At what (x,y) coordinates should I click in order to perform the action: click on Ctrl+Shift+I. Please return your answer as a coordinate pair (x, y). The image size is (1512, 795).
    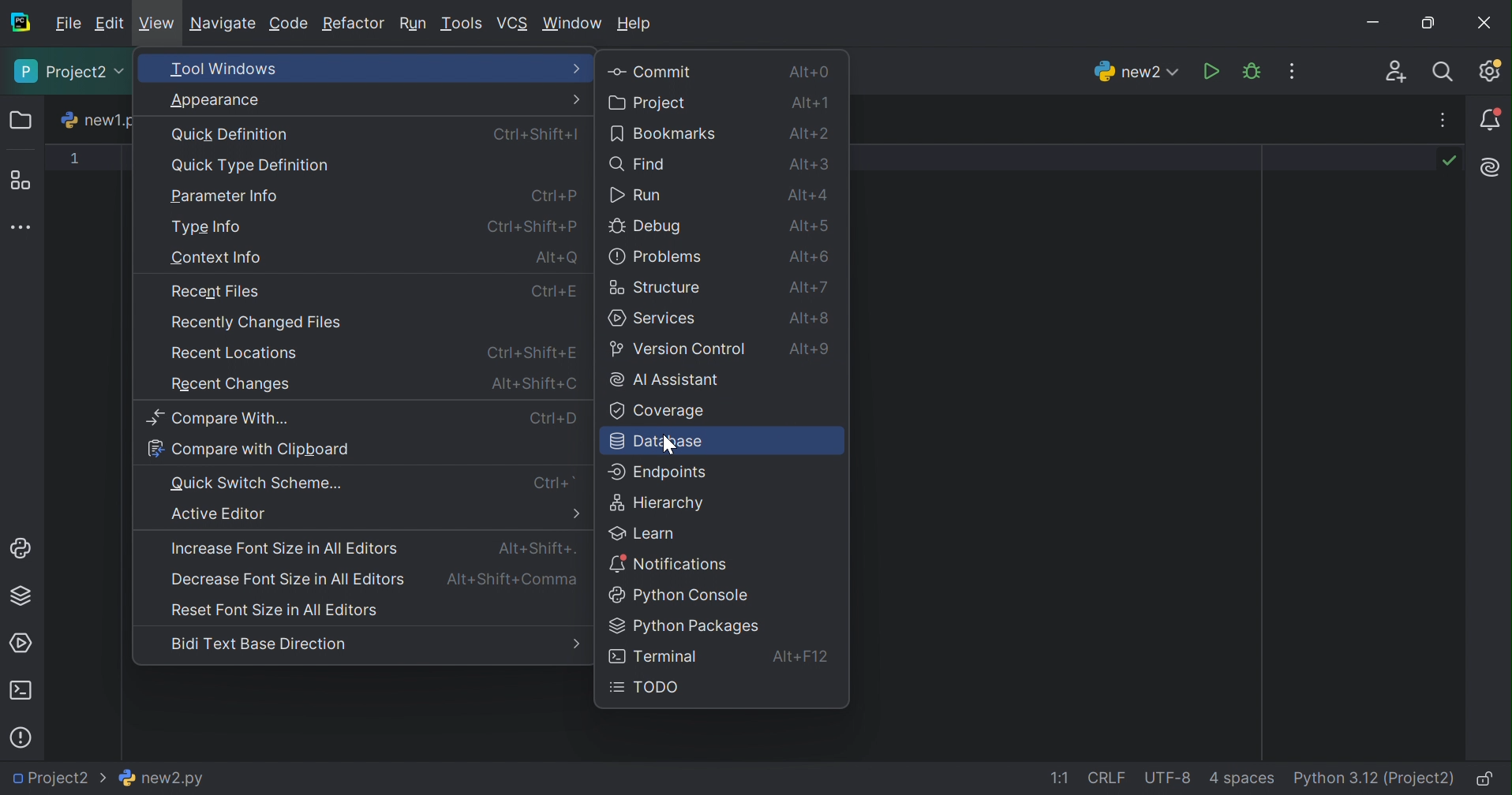
    Looking at the image, I should click on (538, 132).